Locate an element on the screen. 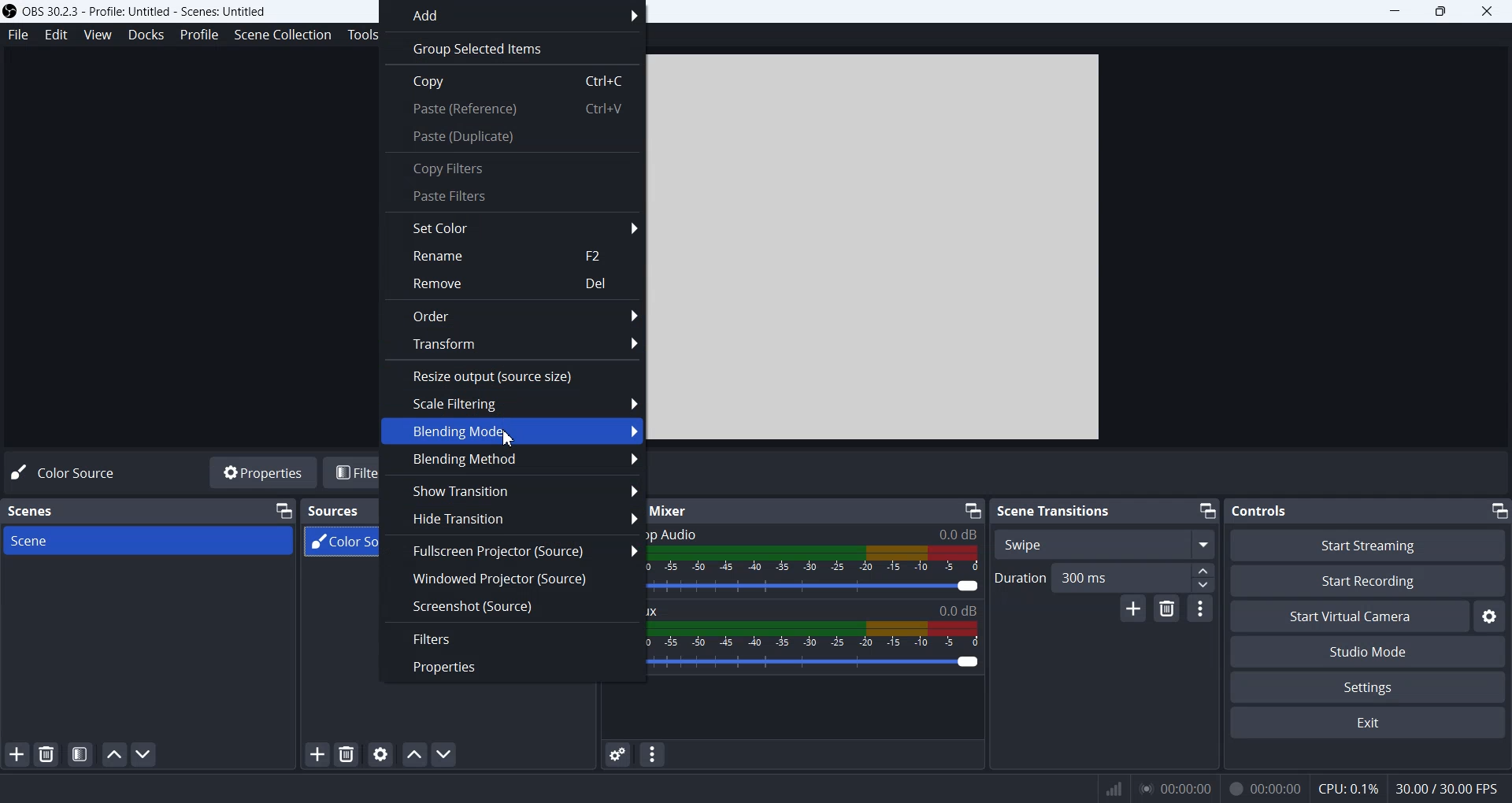  Cursor is located at coordinates (505, 437).